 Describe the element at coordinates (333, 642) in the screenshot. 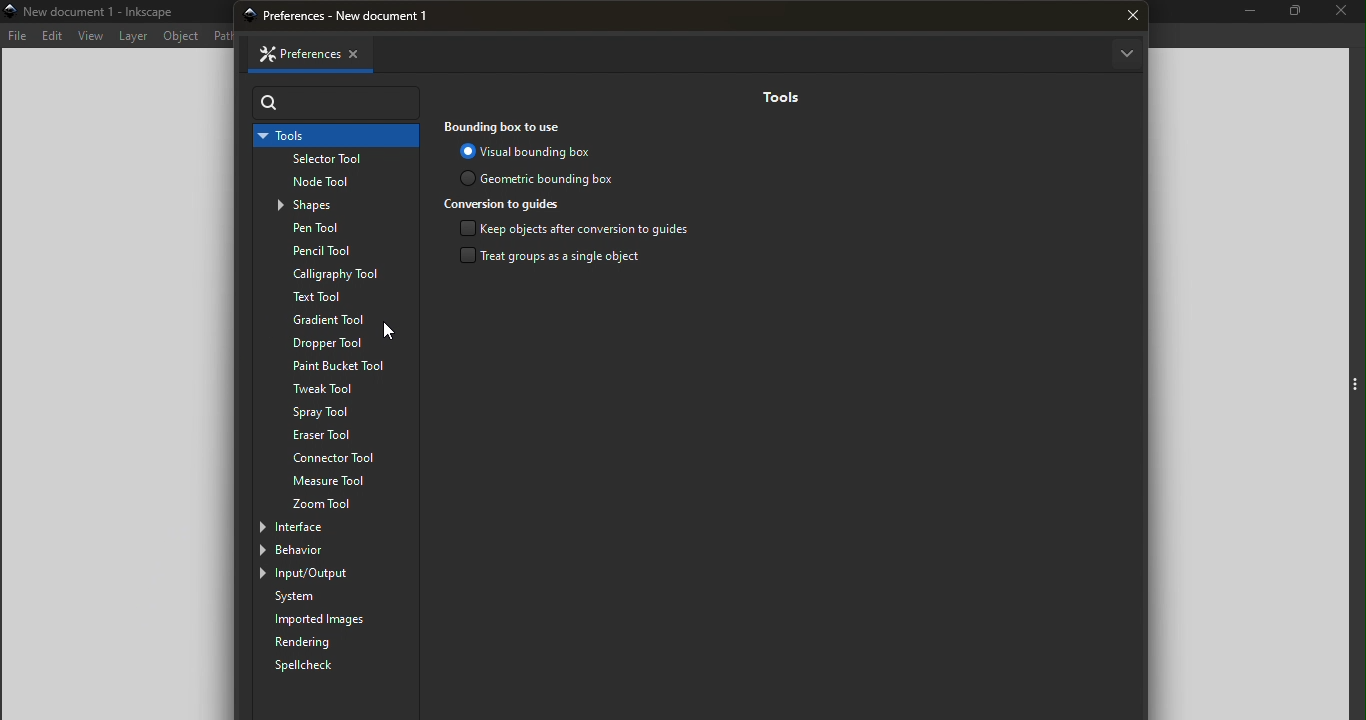

I see `Rendering` at that location.